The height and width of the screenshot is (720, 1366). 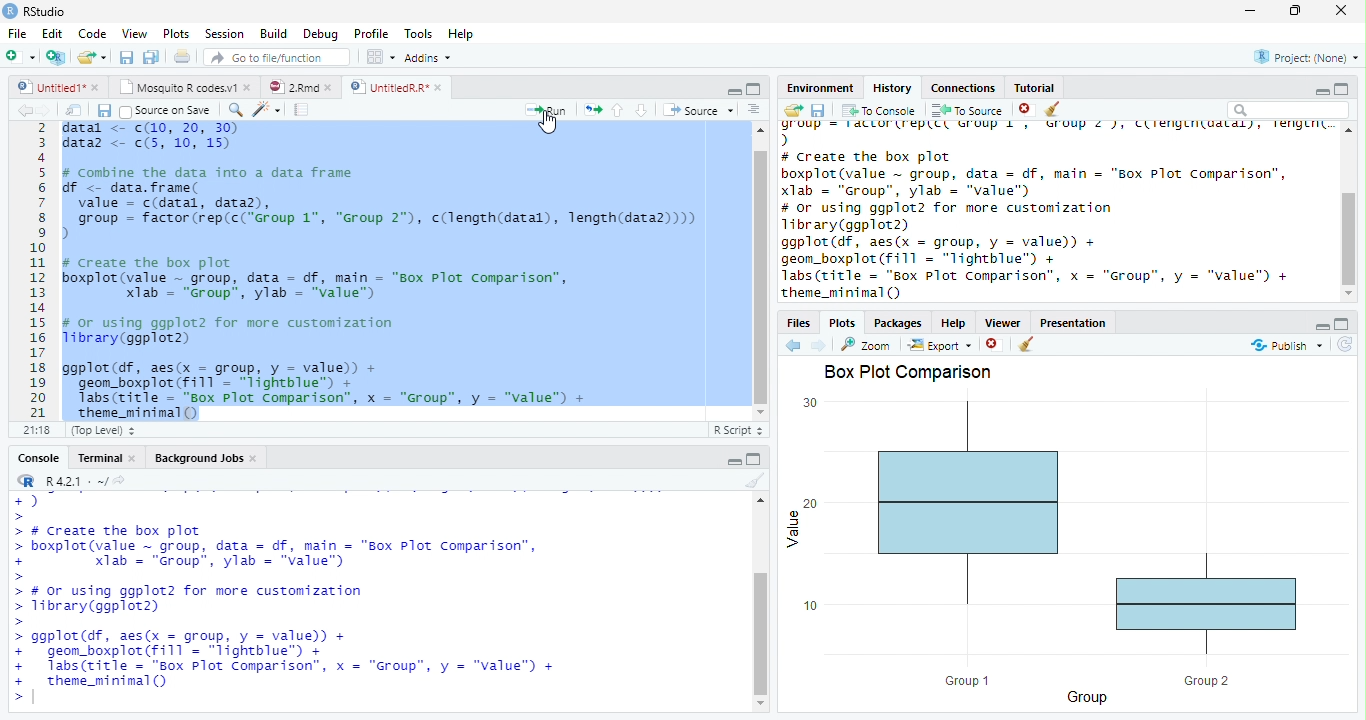 What do you see at coordinates (101, 431) in the screenshot?
I see `(Top Level)` at bounding box center [101, 431].